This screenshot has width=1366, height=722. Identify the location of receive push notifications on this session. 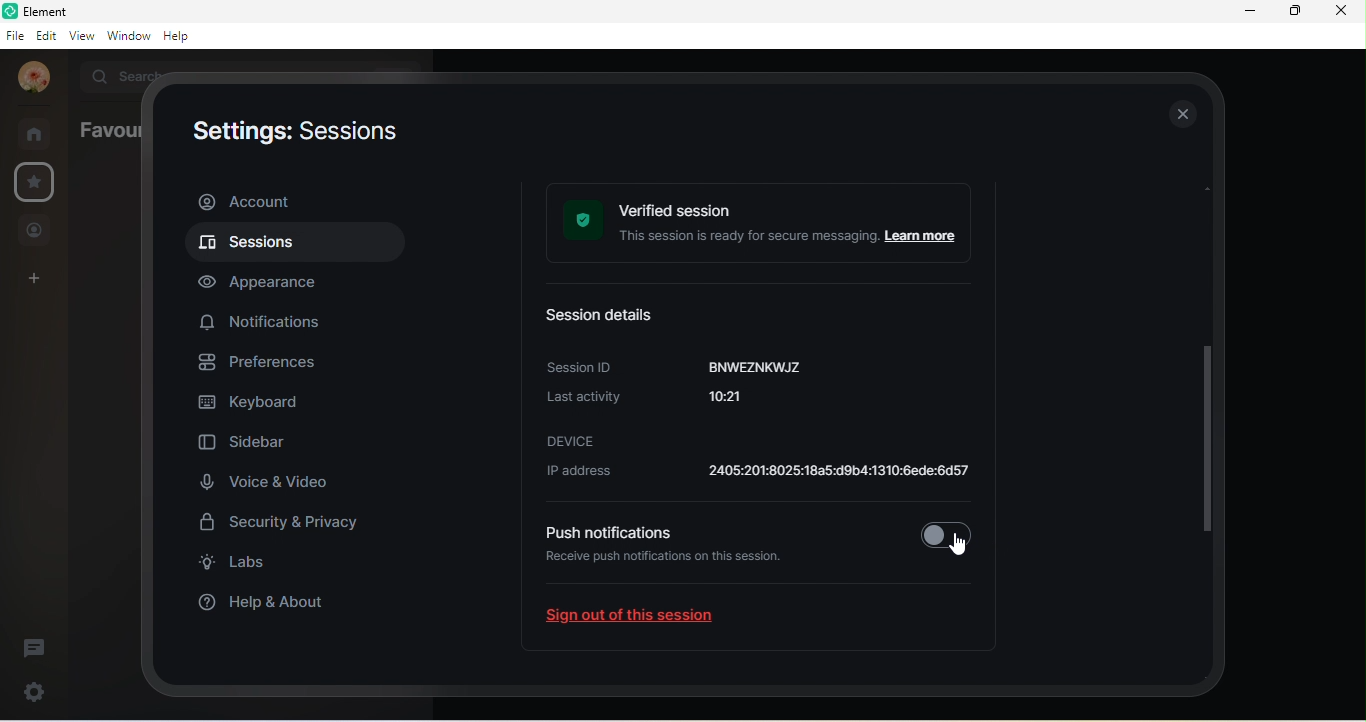
(671, 570).